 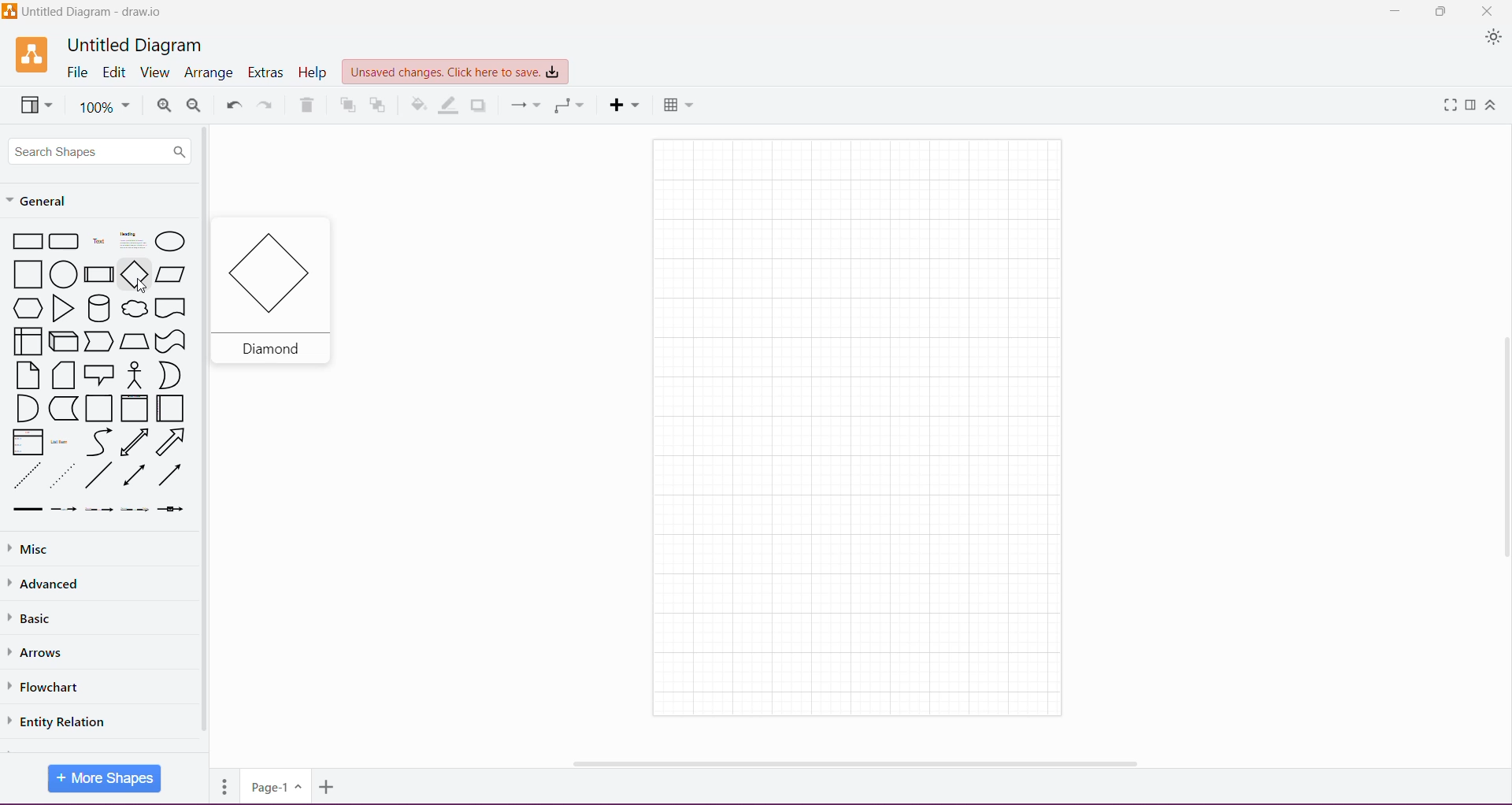 What do you see at coordinates (1471, 106) in the screenshot?
I see `Format` at bounding box center [1471, 106].